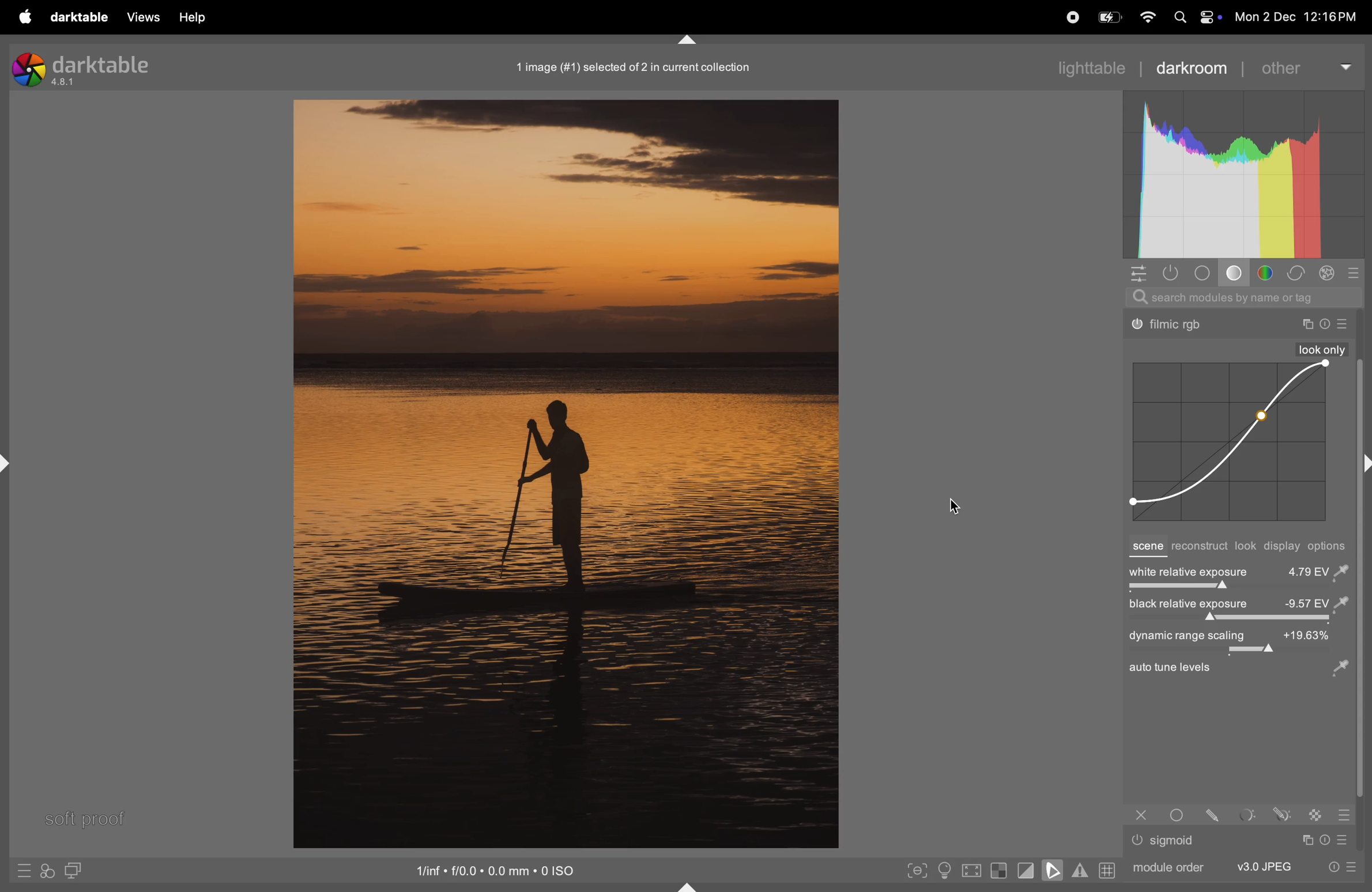 The width and height of the screenshot is (1372, 892). What do you see at coordinates (1146, 547) in the screenshot?
I see `scene` at bounding box center [1146, 547].